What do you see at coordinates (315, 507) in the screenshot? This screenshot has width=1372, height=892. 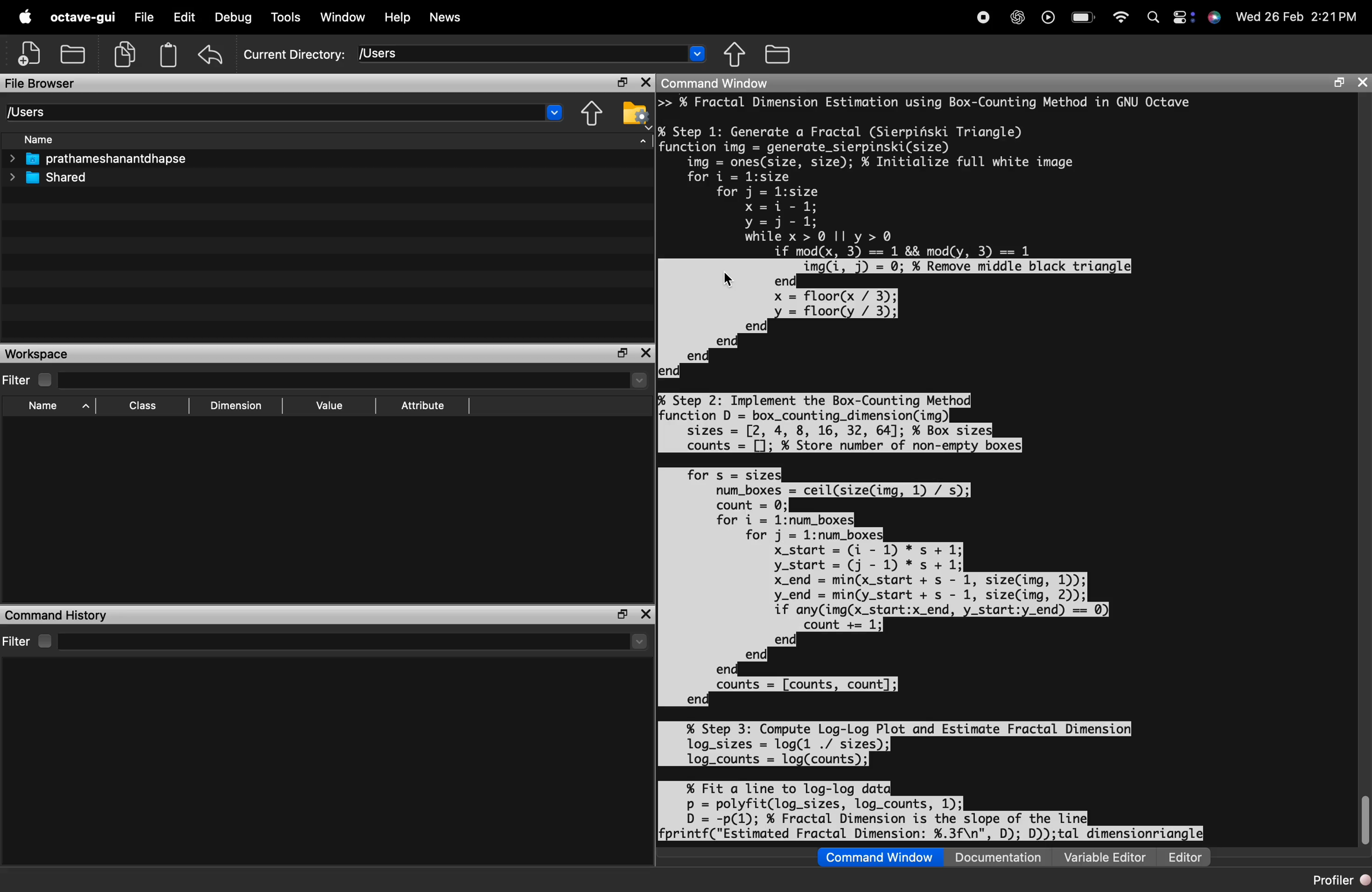 I see `empty workspace` at bounding box center [315, 507].